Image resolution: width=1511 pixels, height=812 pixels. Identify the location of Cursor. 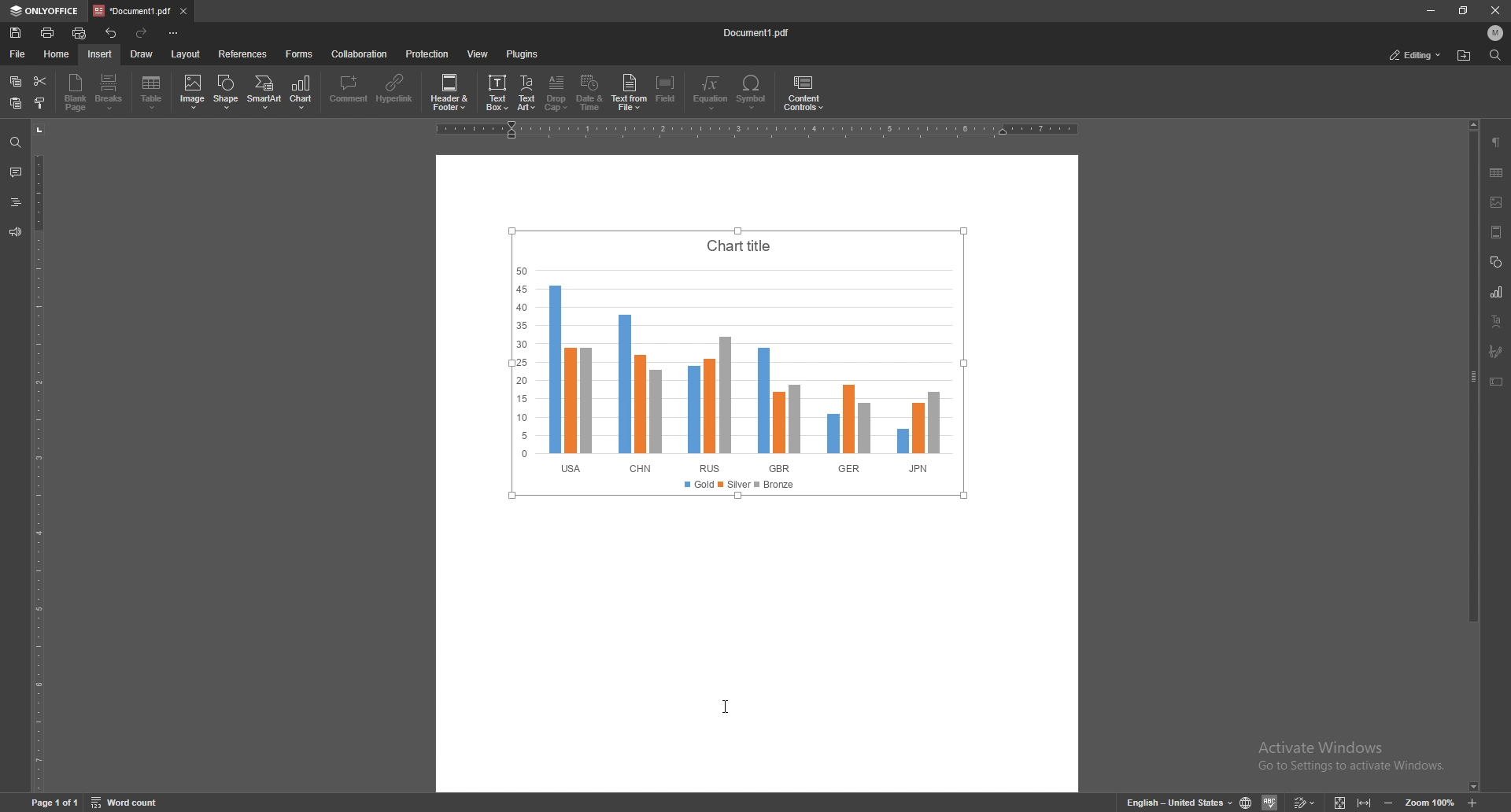
(725, 707).